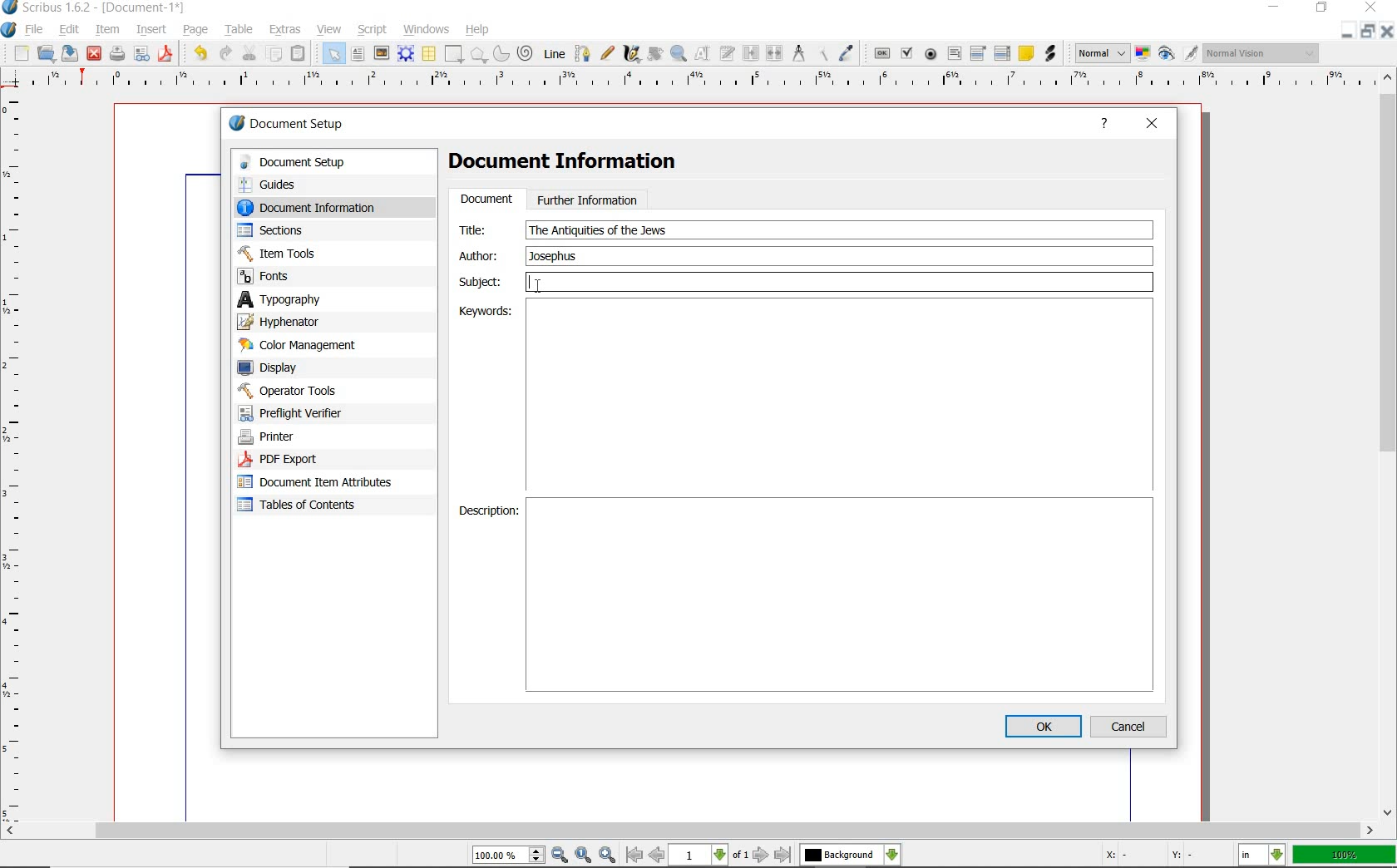 This screenshot has height=868, width=1397. Describe the element at coordinates (1262, 52) in the screenshot. I see `visual appearance of the display` at that location.